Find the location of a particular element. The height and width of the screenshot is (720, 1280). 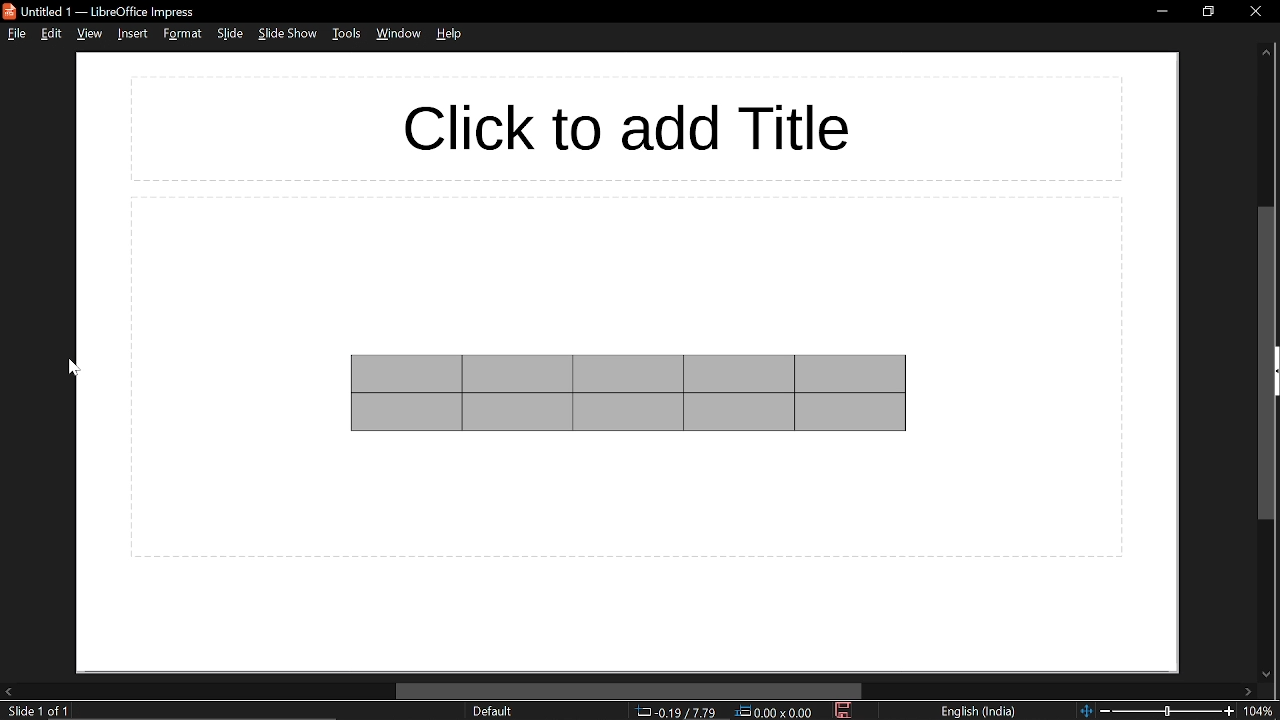

color changed to light gray is located at coordinates (630, 393).